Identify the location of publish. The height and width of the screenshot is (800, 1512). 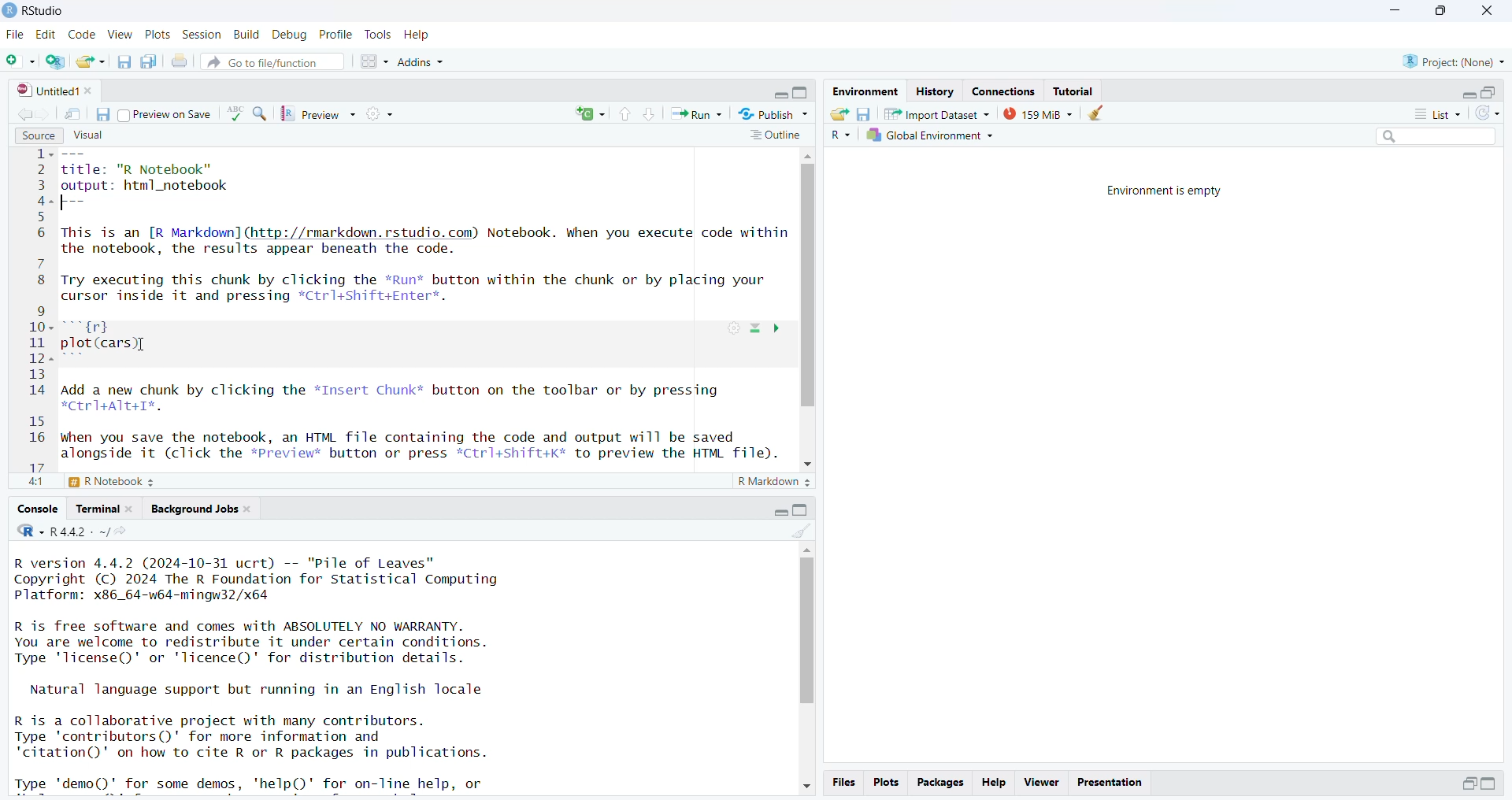
(772, 113).